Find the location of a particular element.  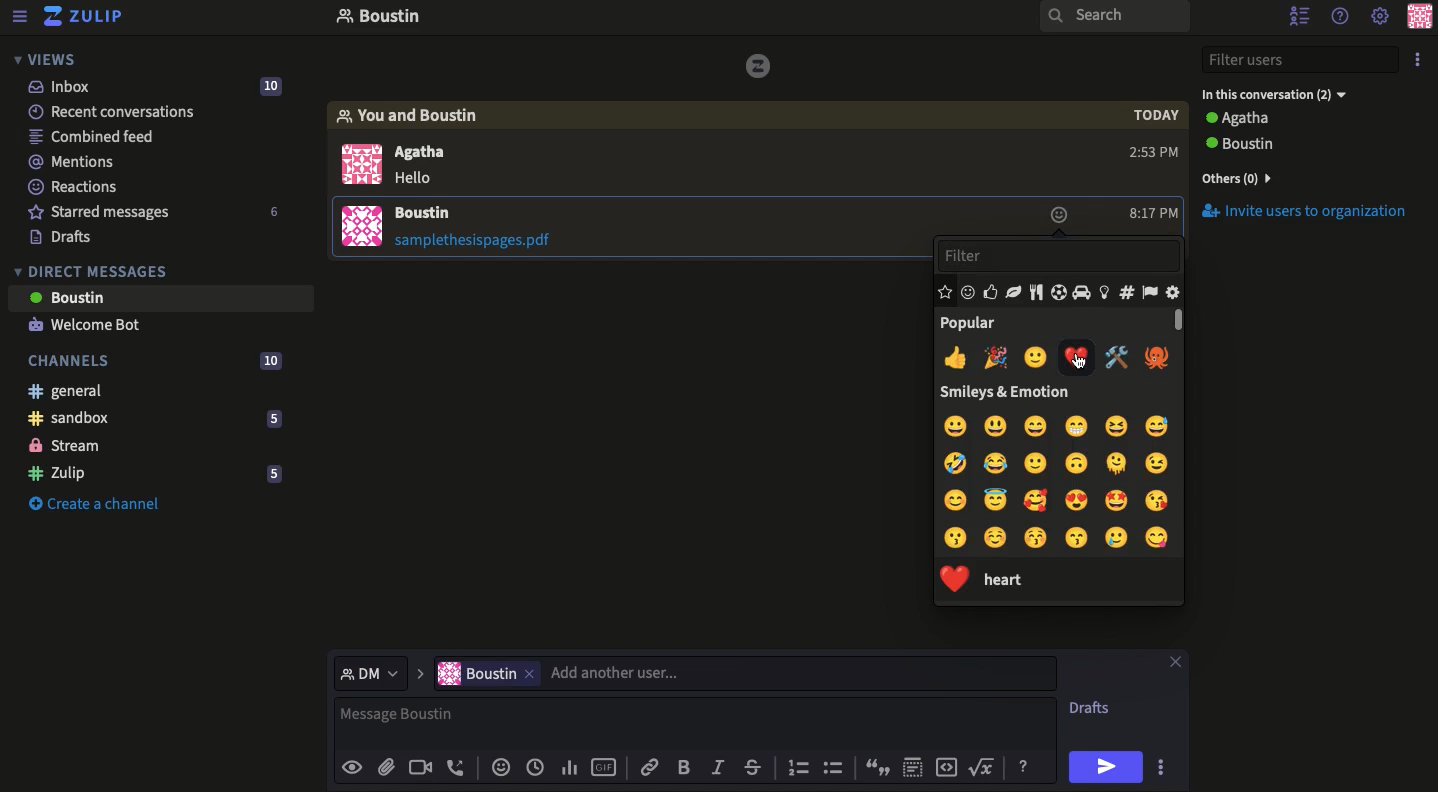

GIF is located at coordinates (604, 765).